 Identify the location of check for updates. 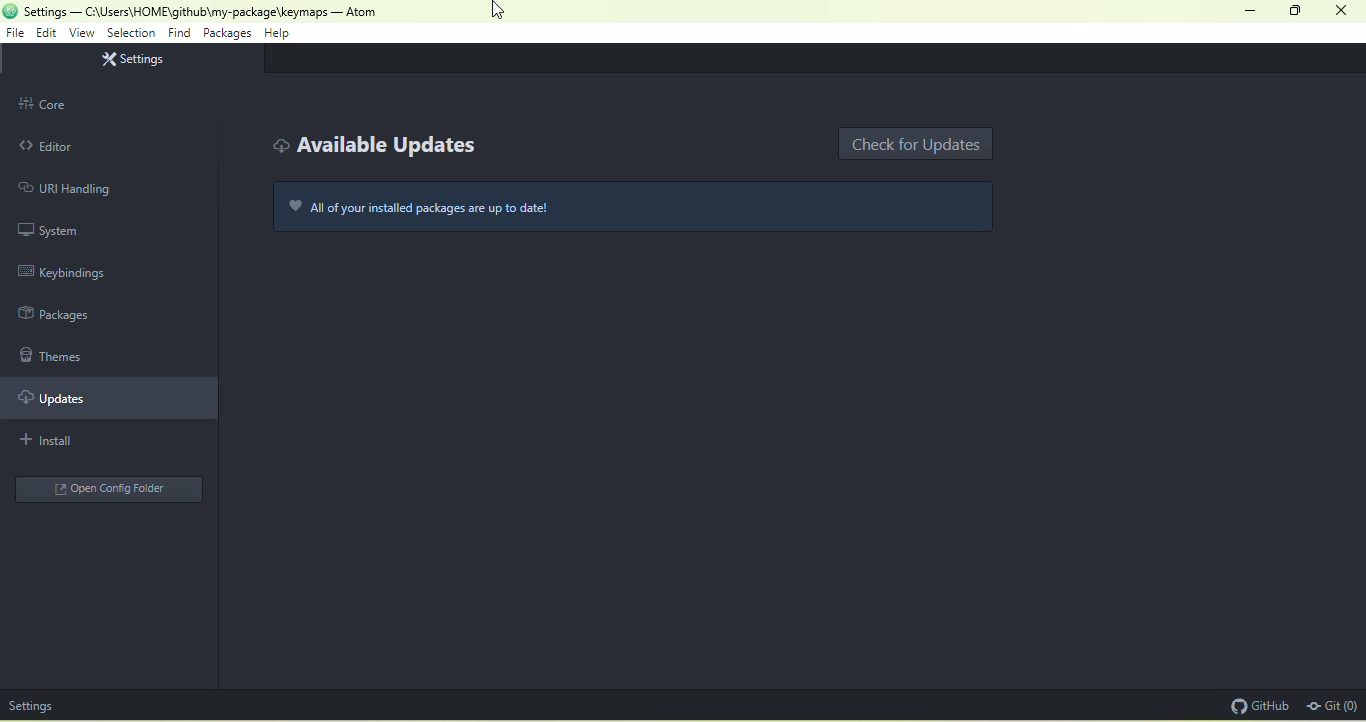
(918, 143).